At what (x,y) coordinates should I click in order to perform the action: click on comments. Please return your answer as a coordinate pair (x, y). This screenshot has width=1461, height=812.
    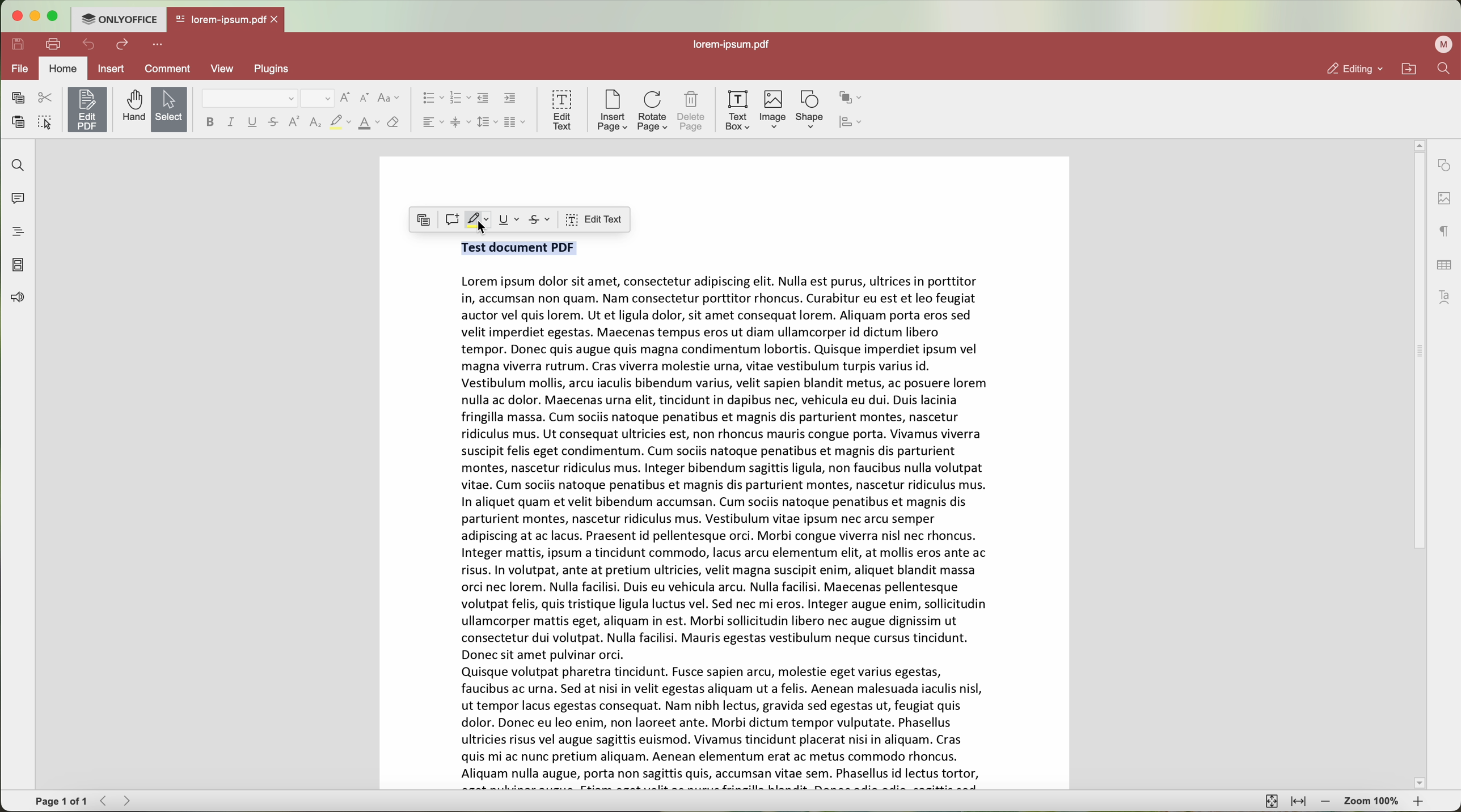
    Looking at the image, I should click on (16, 200).